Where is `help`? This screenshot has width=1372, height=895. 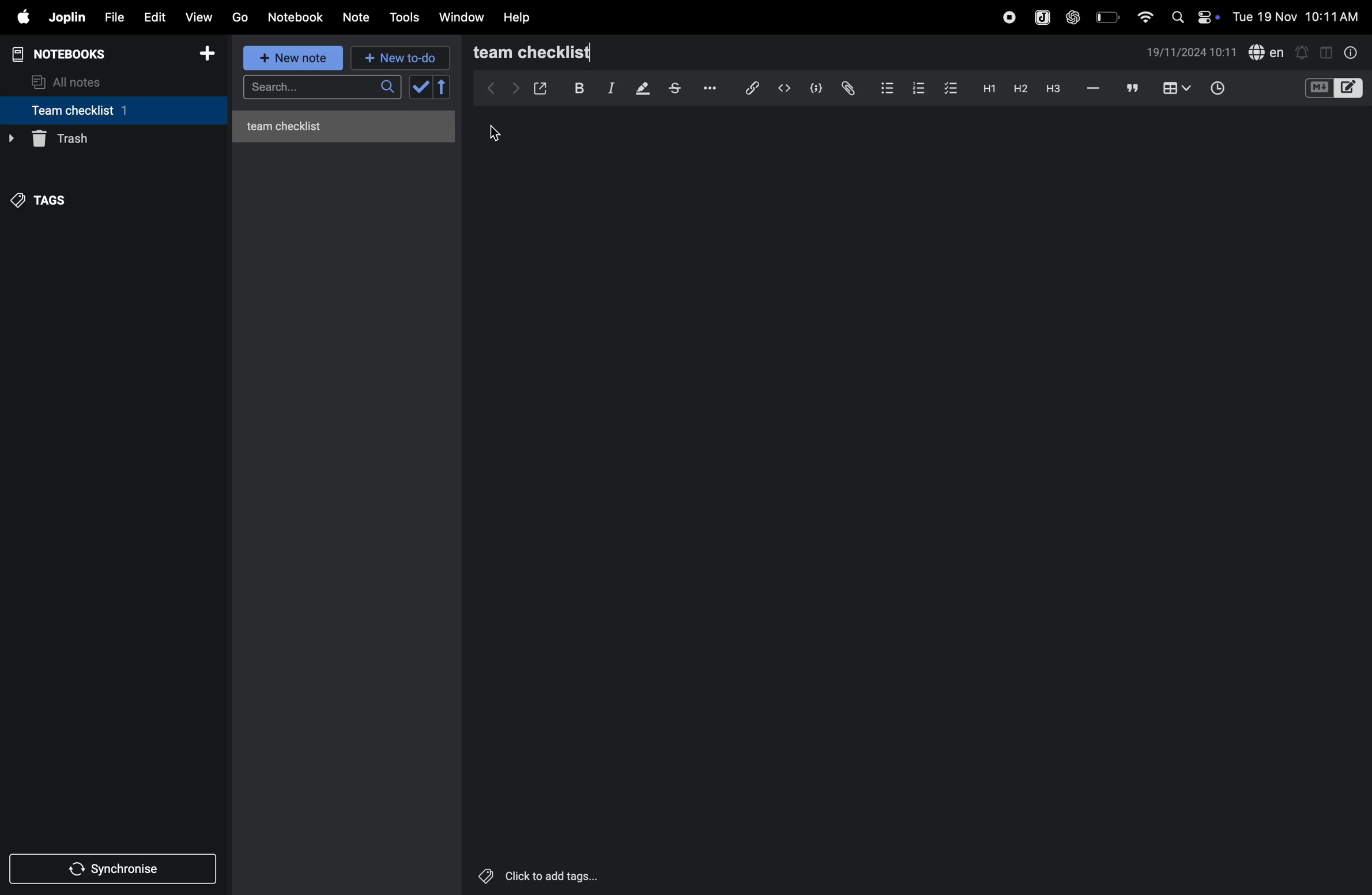 help is located at coordinates (520, 17).